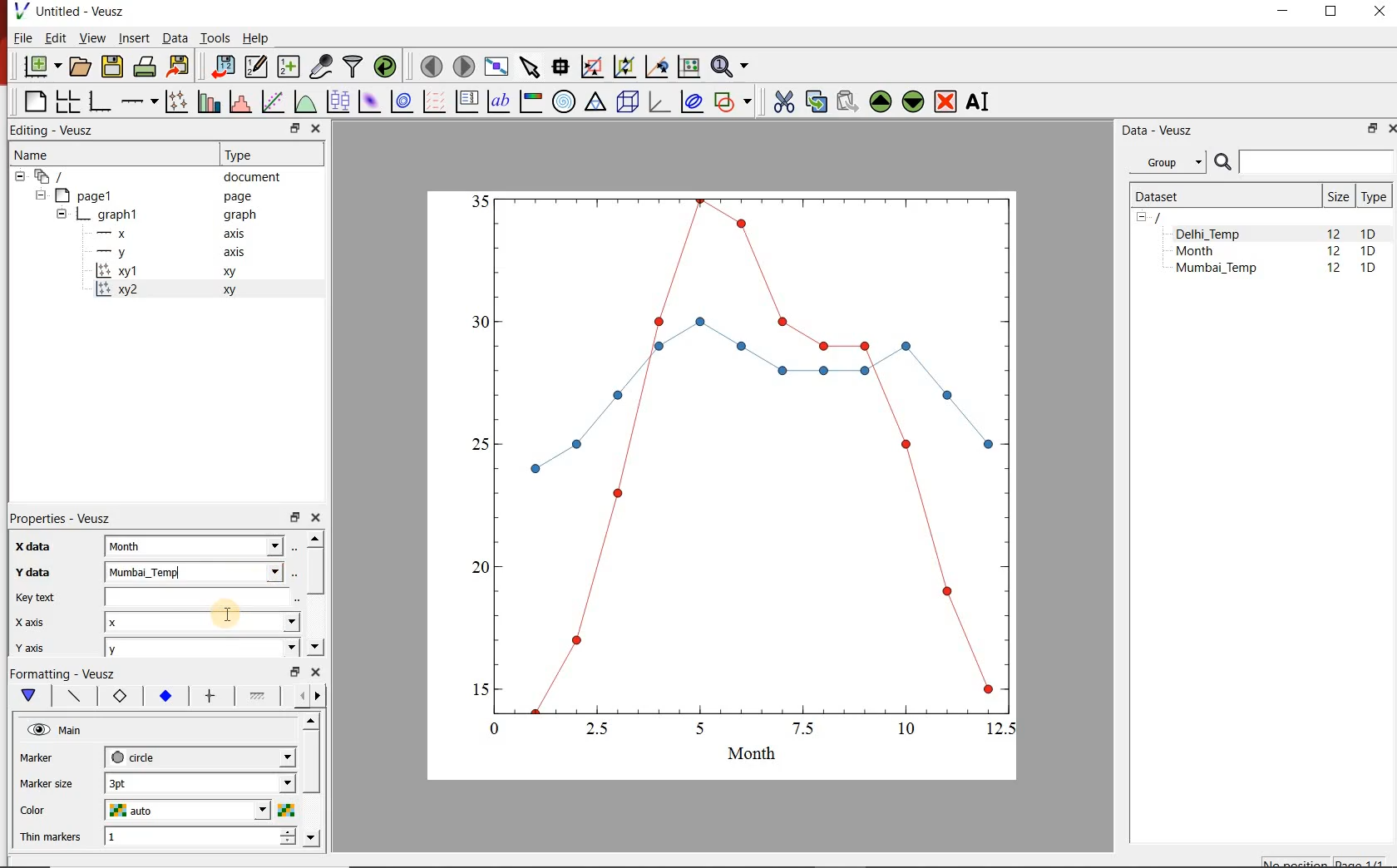 The width and height of the screenshot is (1397, 868). What do you see at coordinates (79, 67) in the screenshot?
I see `open a document` at bounding box center [79, 67].